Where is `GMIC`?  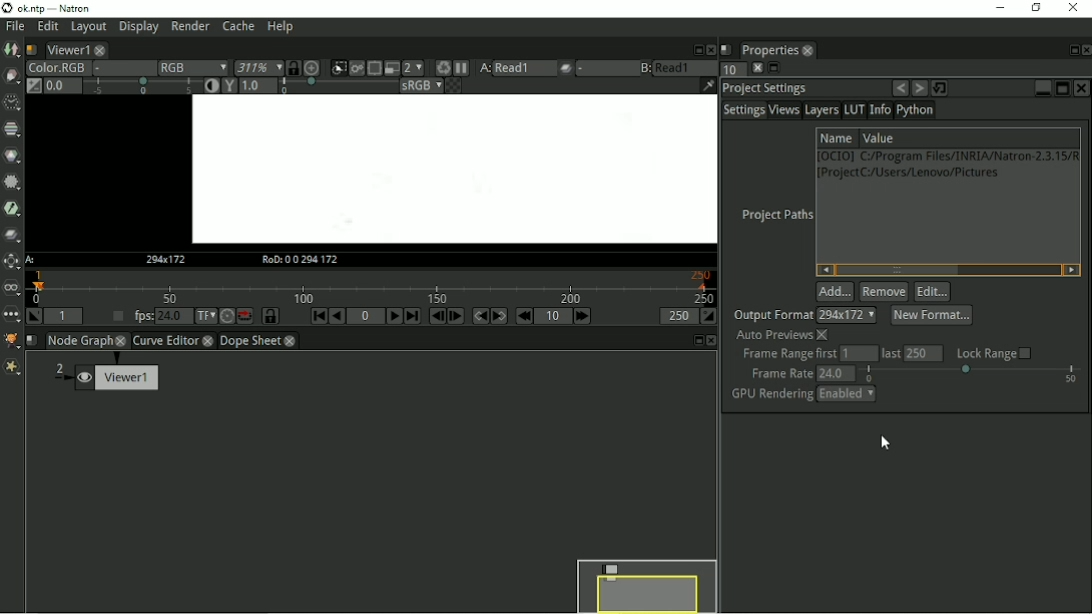 GMIC is located at coordinates (12, 342).